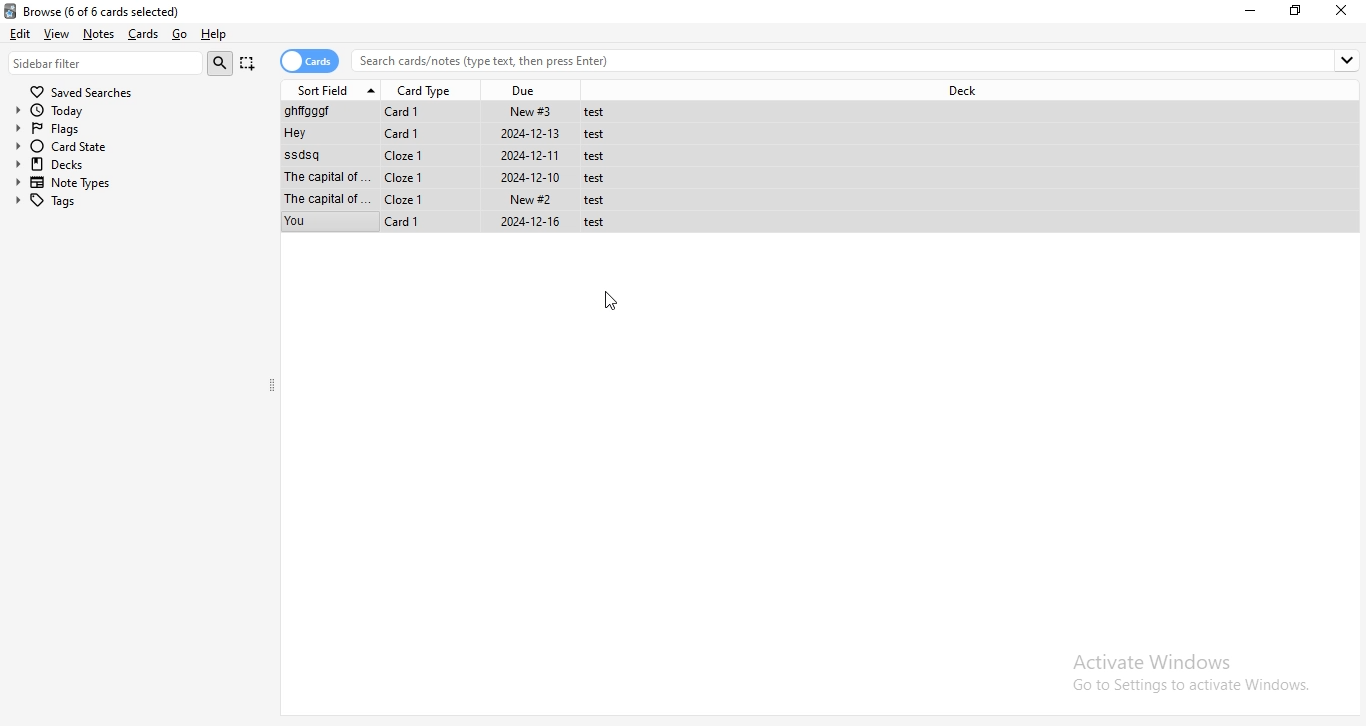 The height and width of the screenshot is (726, 1366). I want to click on minimize, so click(1252, 10).